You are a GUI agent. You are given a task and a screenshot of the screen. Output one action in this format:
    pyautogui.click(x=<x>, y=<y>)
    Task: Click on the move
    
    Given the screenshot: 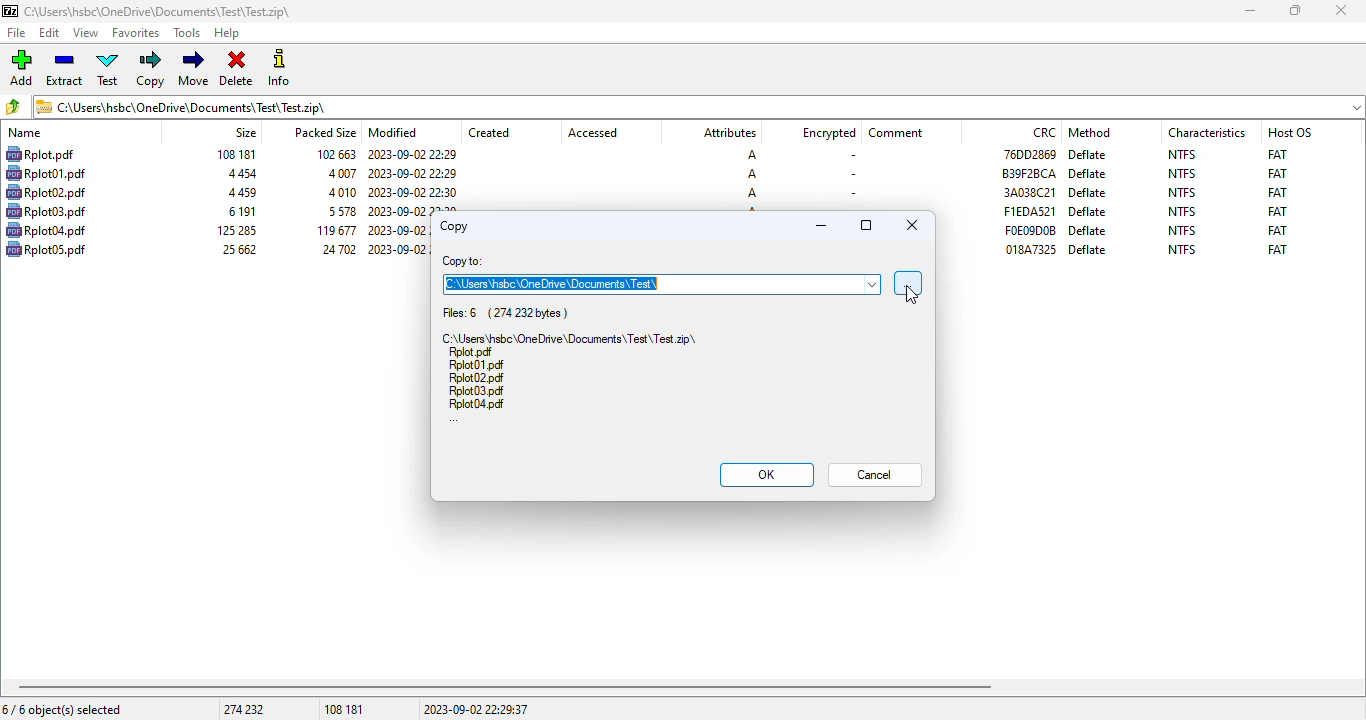 What is the action you would take?
    pyautogui.click(x=193, y=68)
    